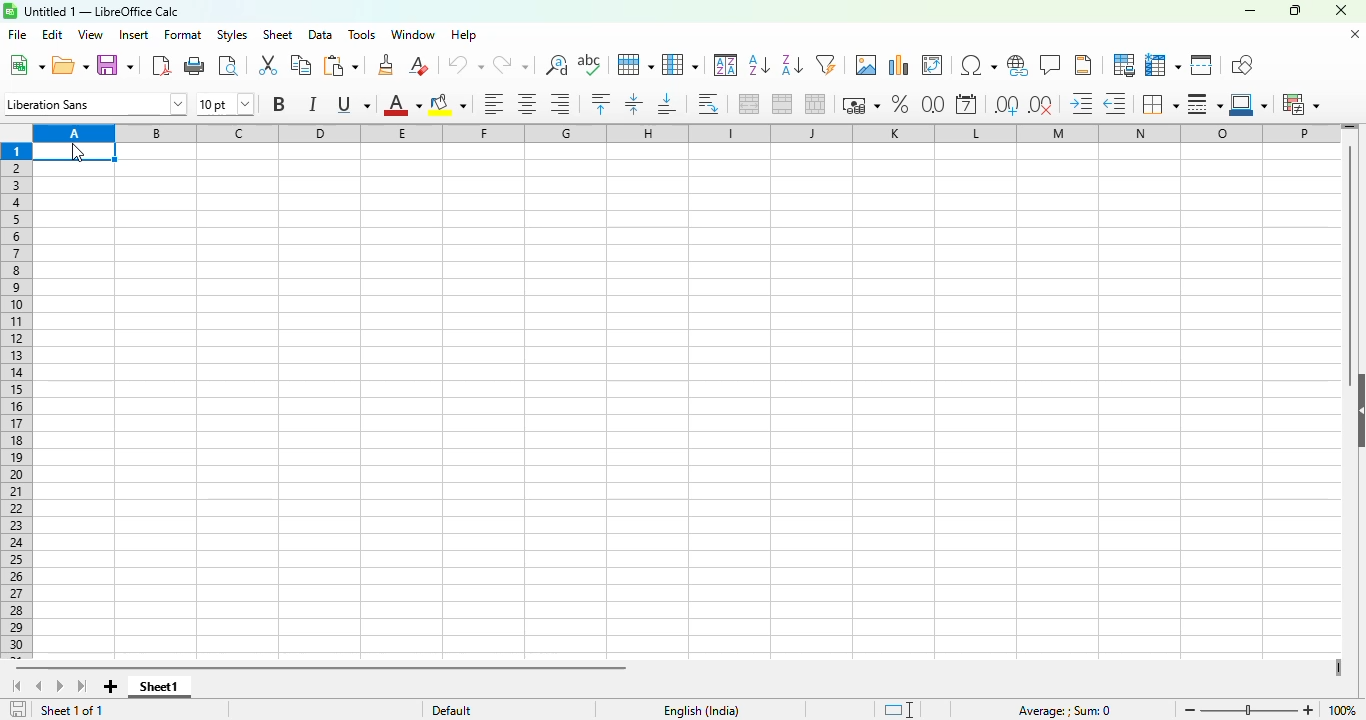  I want to click on data, so click(319, 35).